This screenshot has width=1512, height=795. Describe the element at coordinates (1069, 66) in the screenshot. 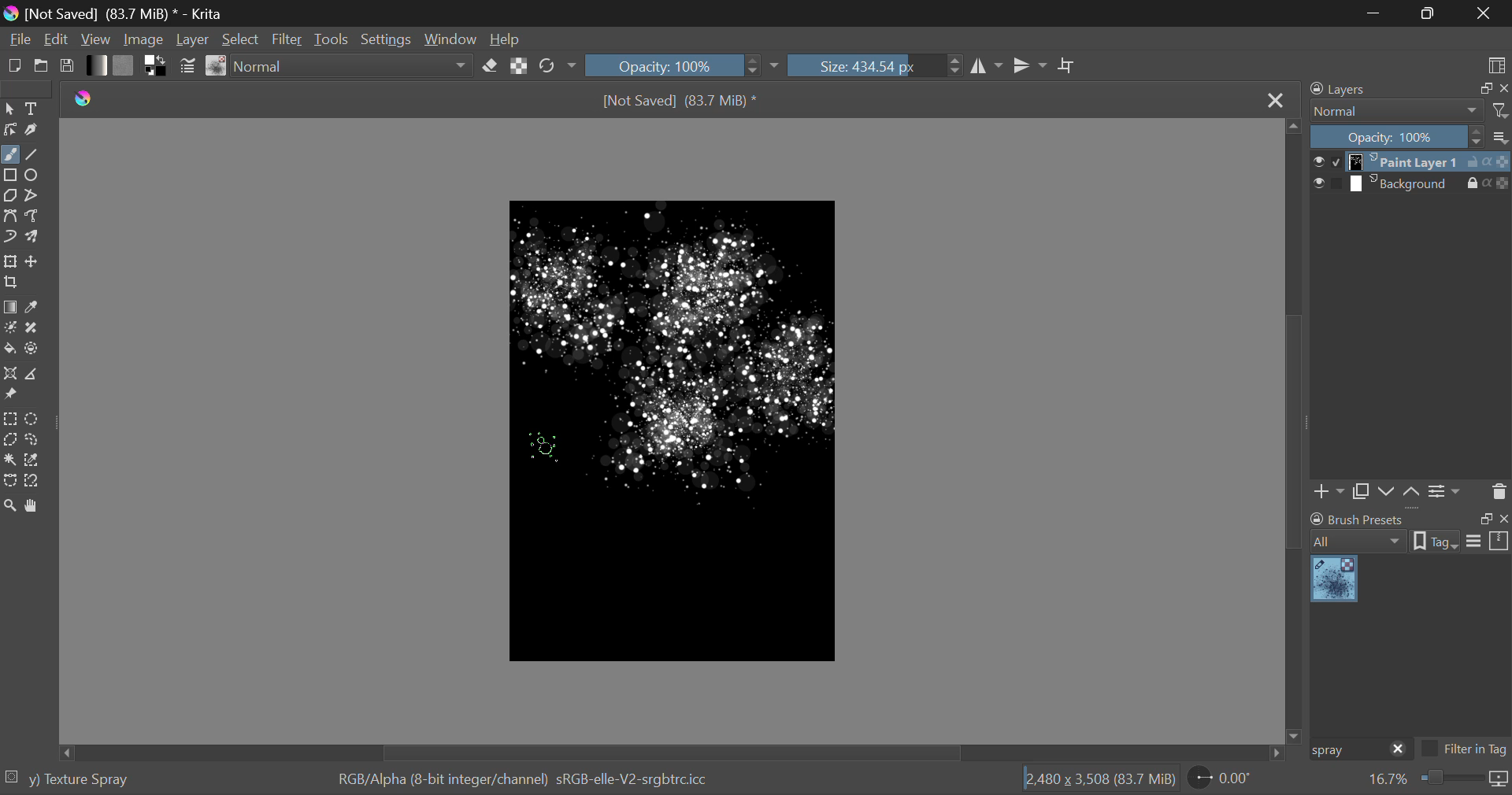

I see `Crop` at that location.